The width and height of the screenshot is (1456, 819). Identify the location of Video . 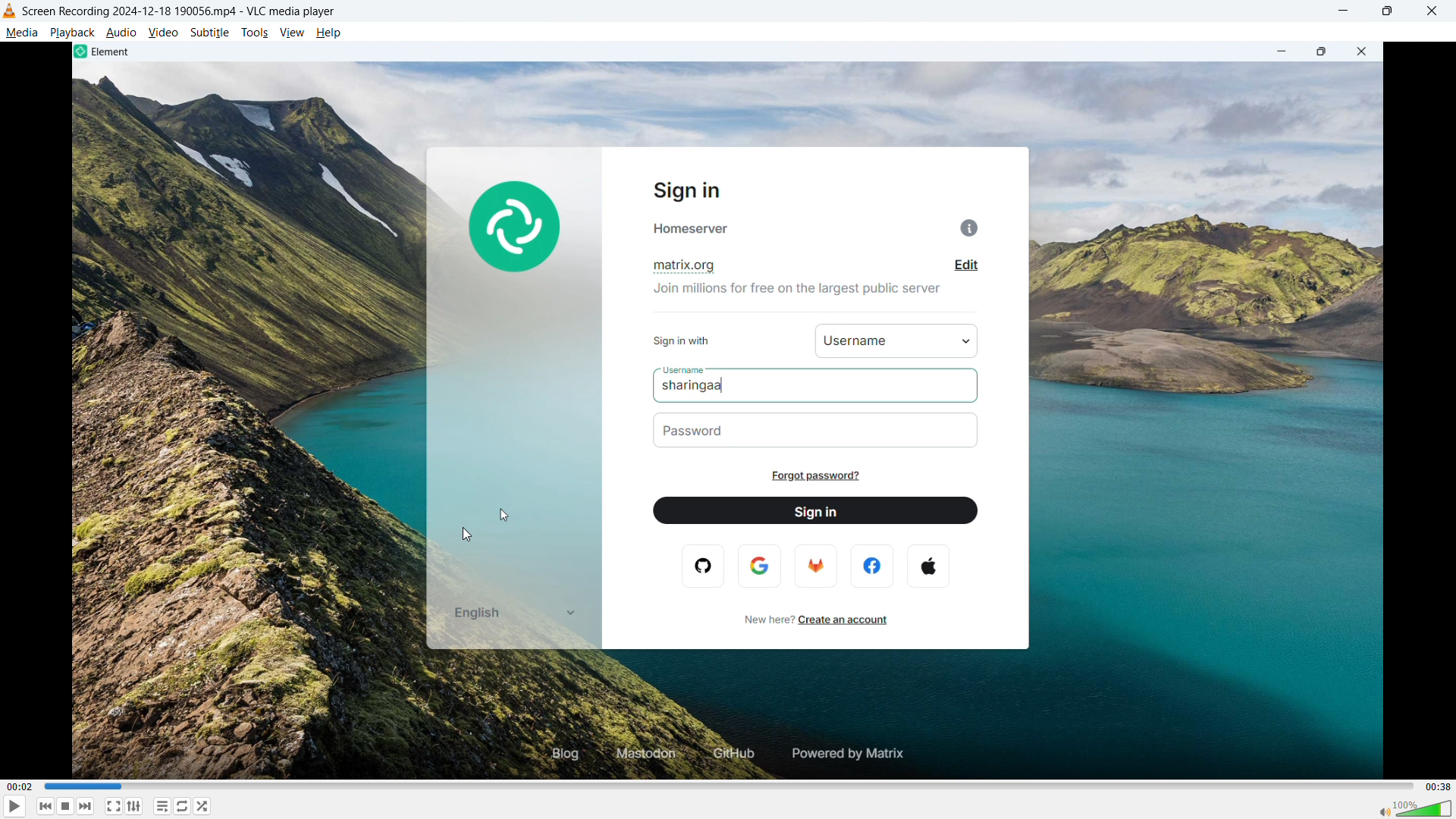
(164, 33).